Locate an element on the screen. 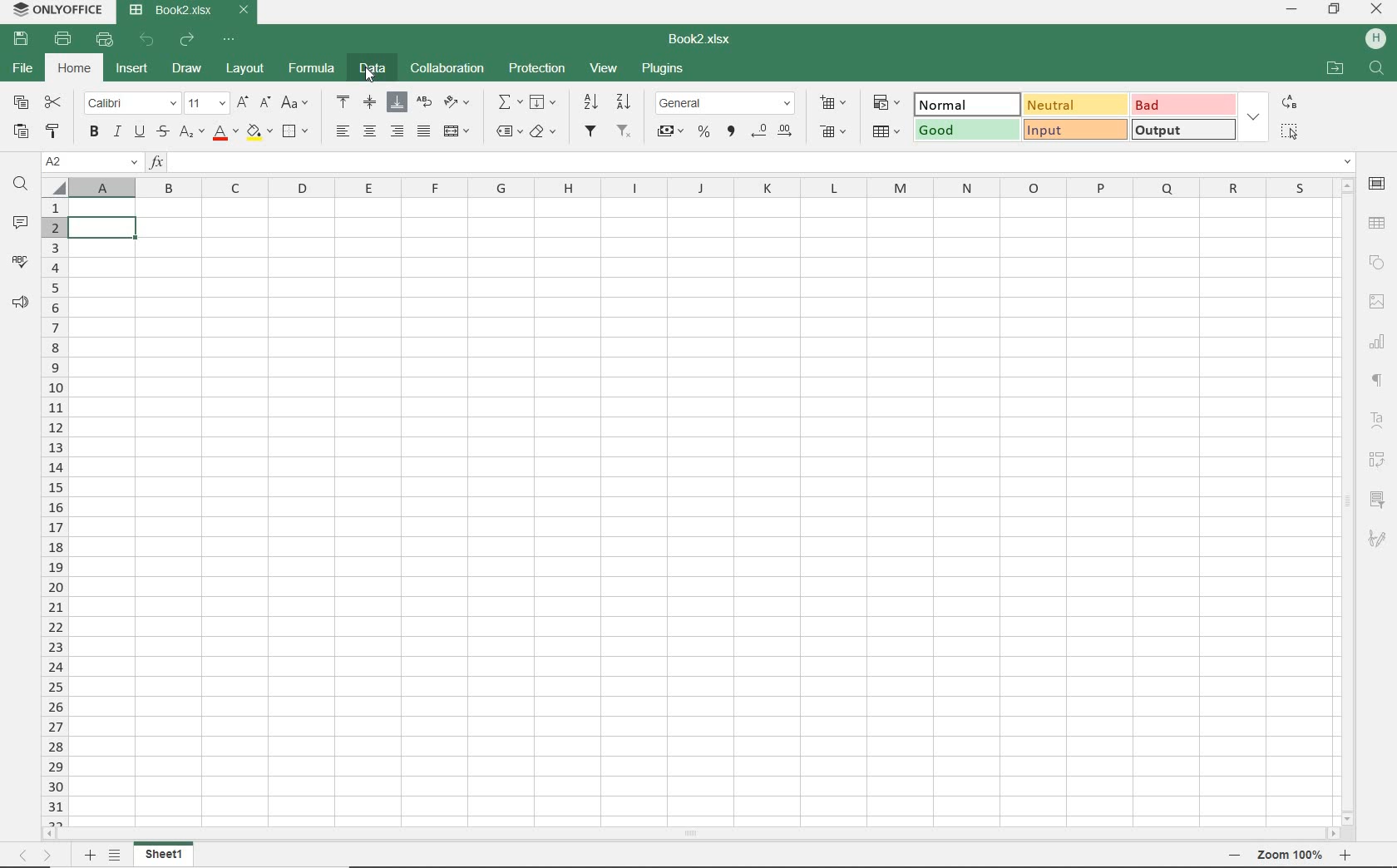 This screenshot has height=868, width=1397. CUT is located at coordinates (53, 103).